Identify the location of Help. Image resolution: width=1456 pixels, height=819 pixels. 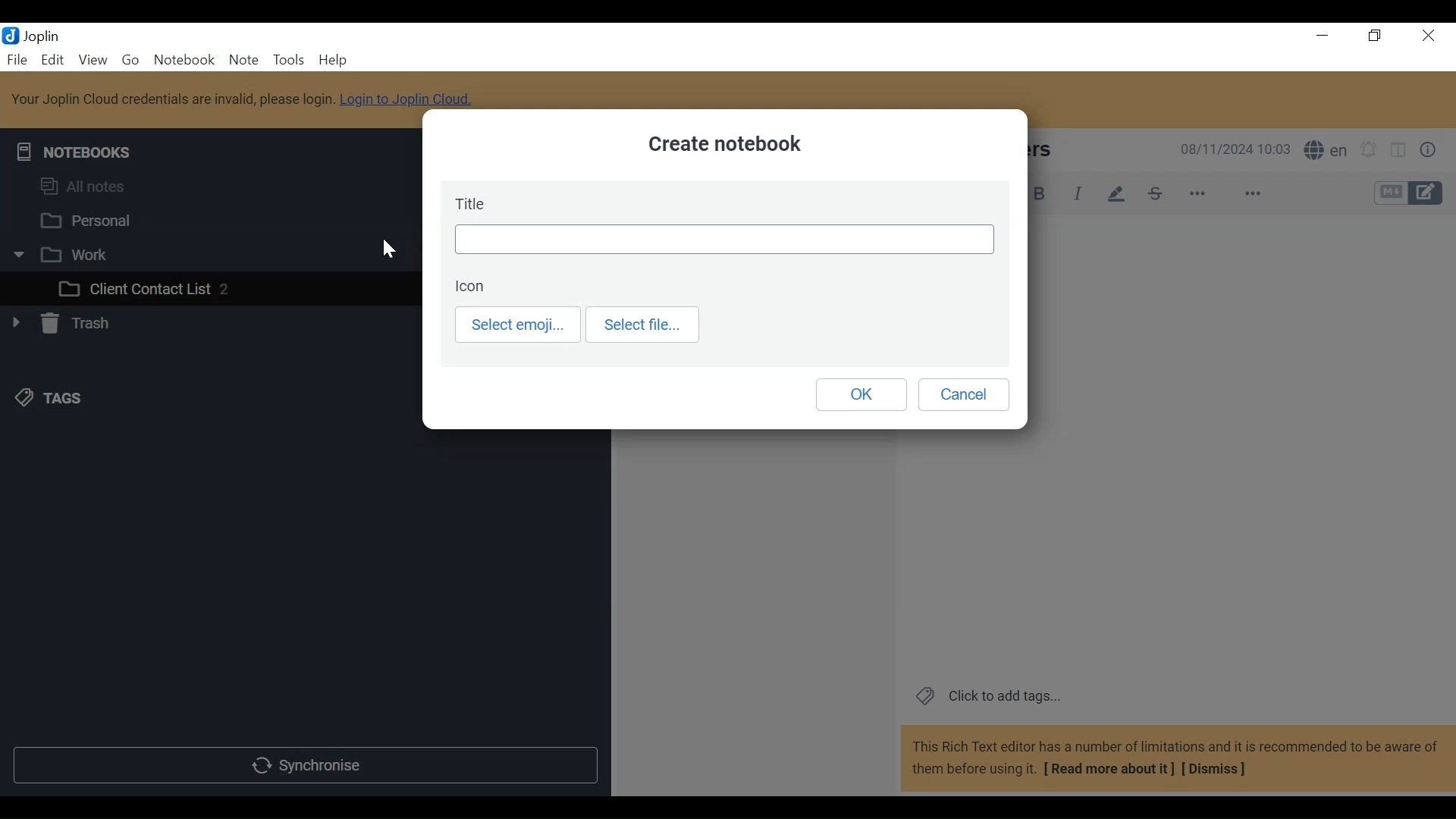
(340, 60).